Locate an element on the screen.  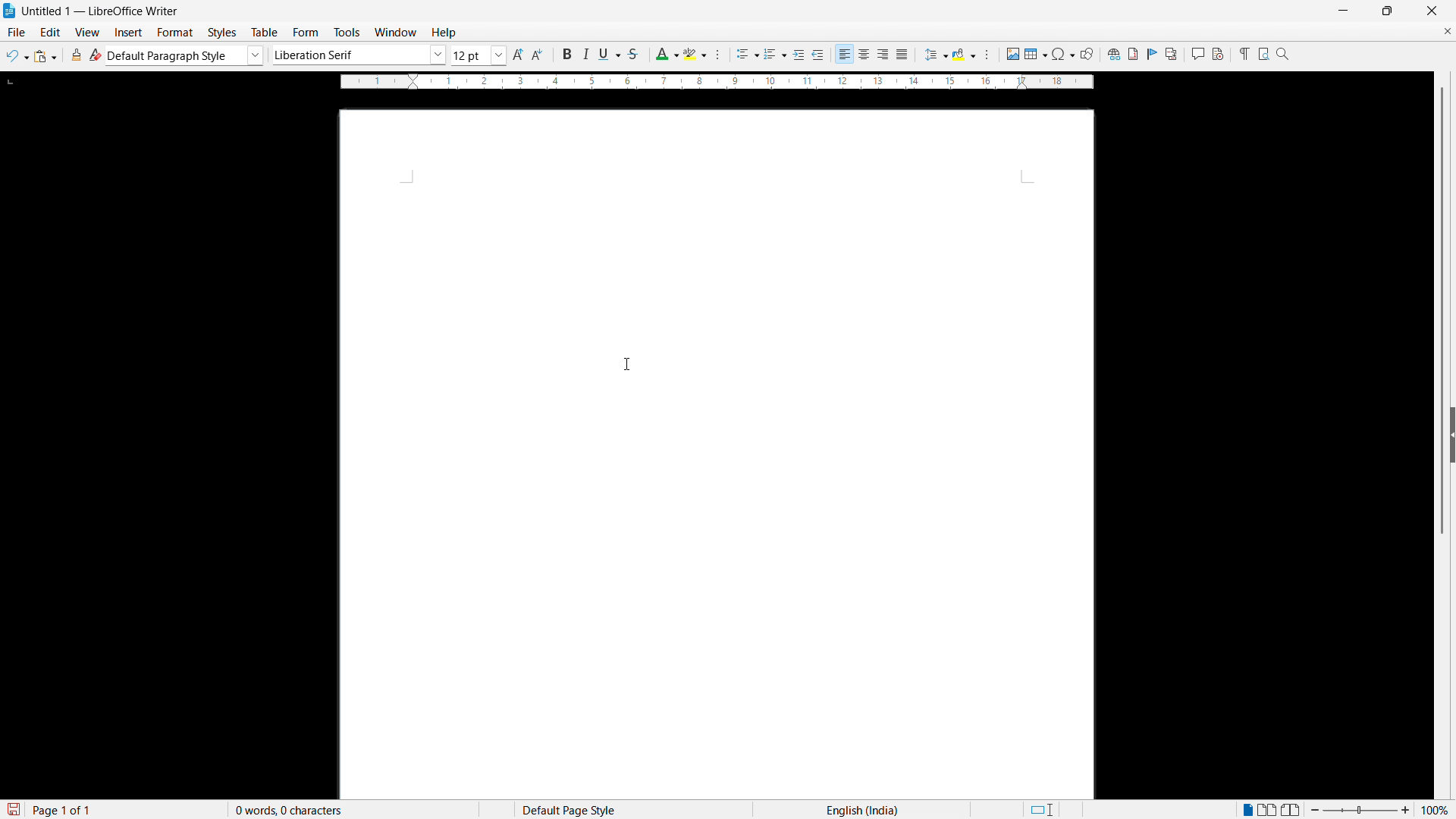
Edit  is located at coordinates (51, 32).